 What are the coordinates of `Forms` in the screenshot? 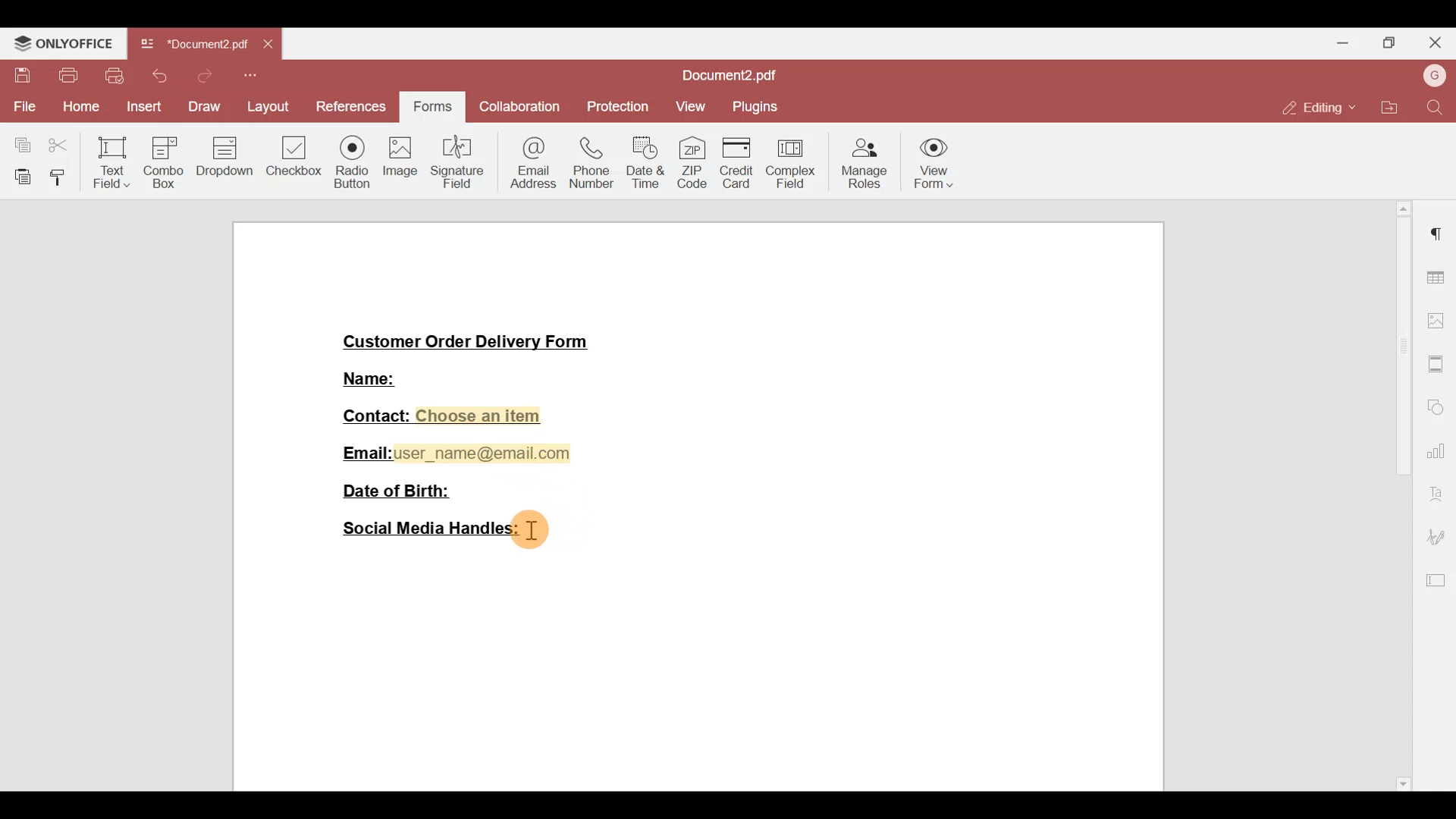 It's located at (435, 103).